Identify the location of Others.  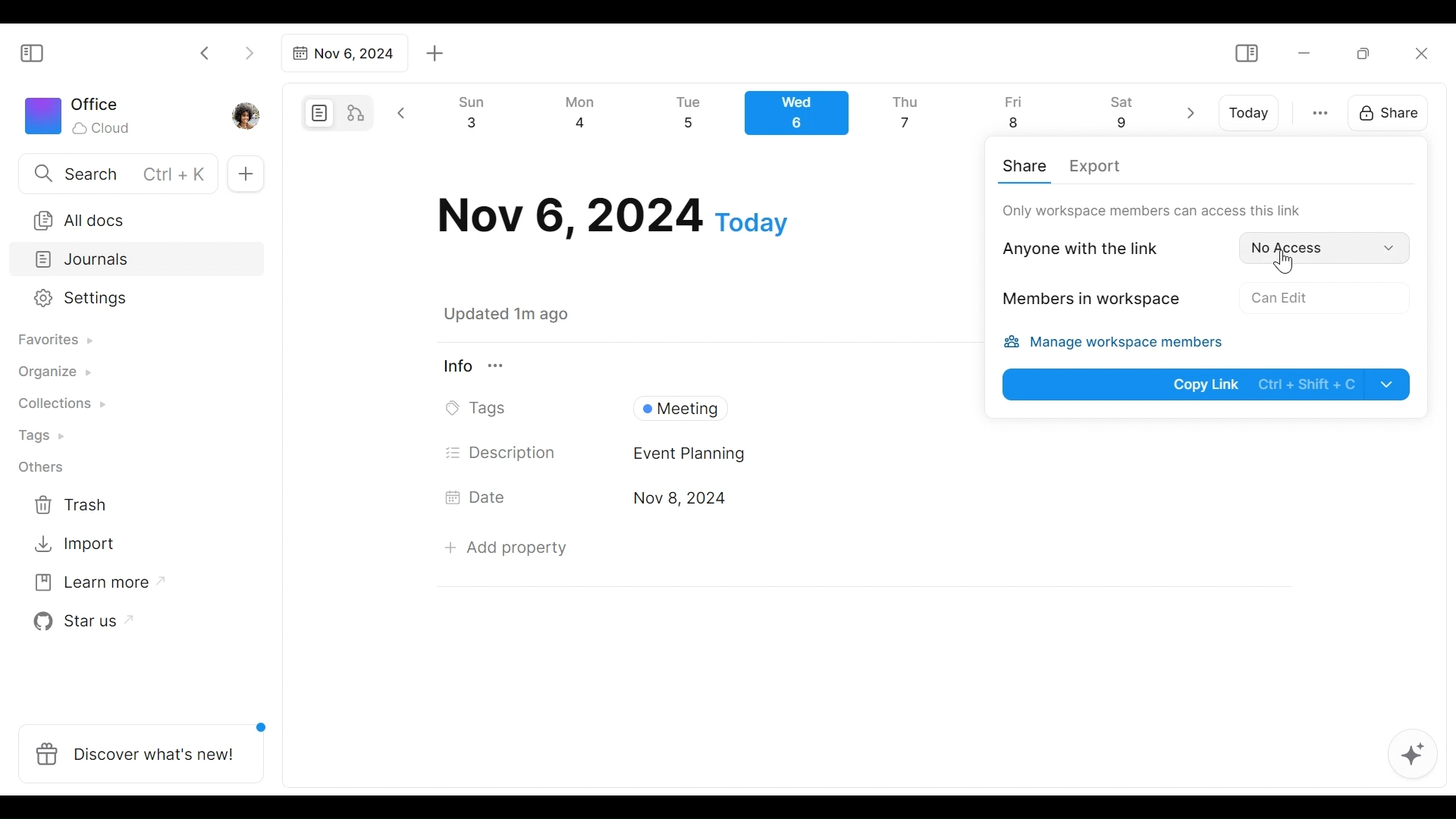
(42, 467).